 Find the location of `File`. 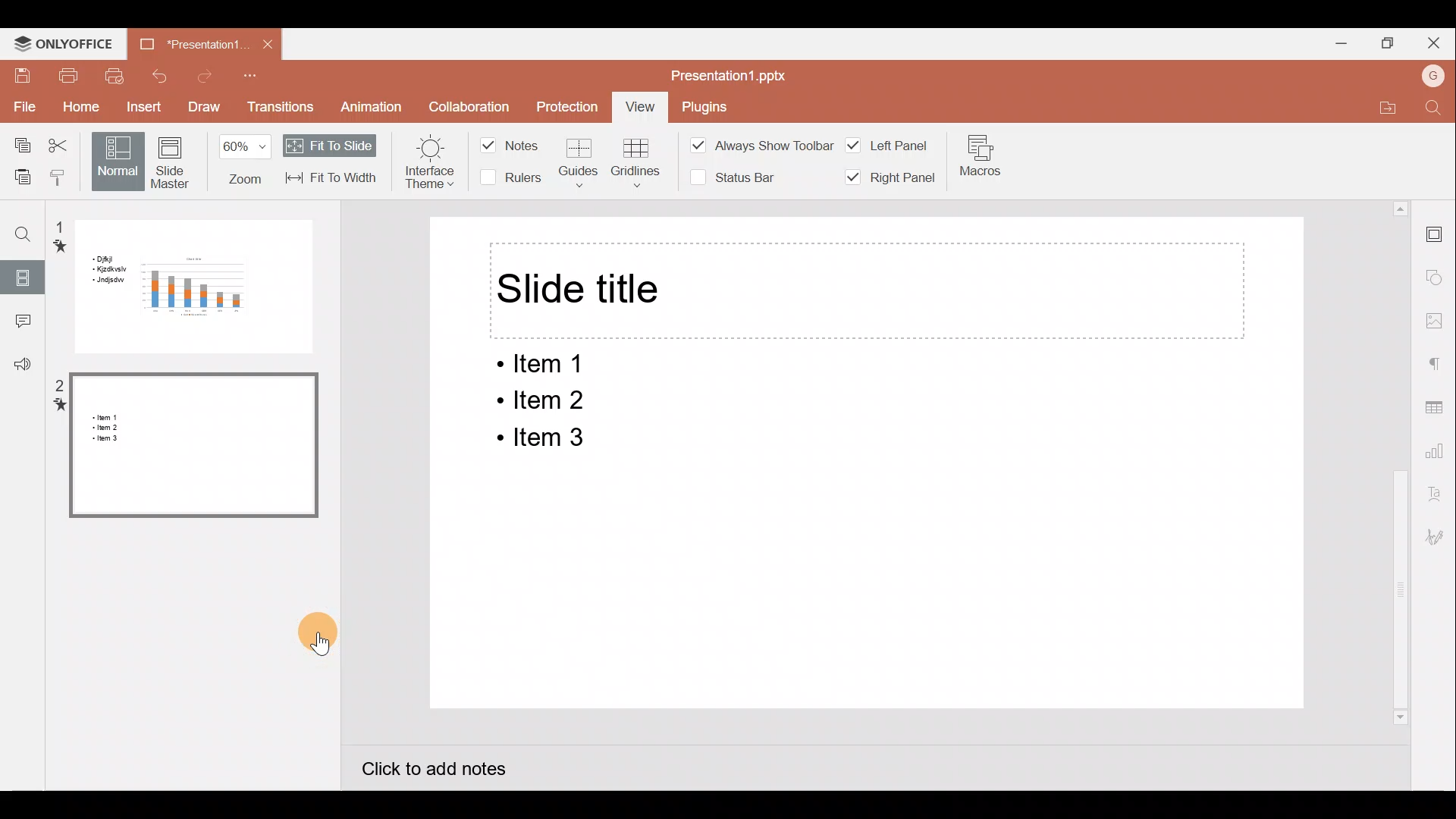

File is located at coordinates (21, 107).